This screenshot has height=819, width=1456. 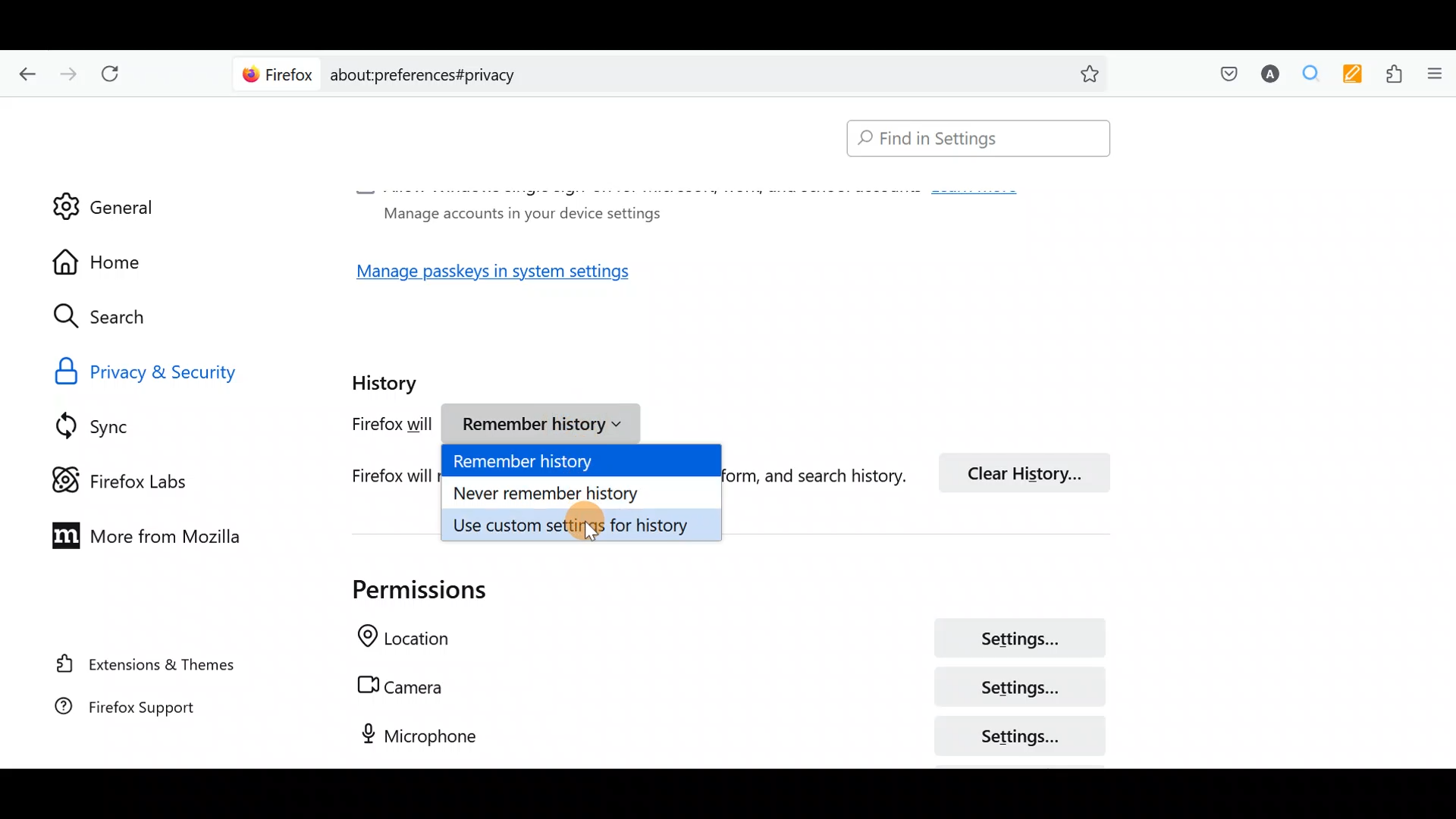 I want to click on Microphone settings, so click(x=713, y=735).